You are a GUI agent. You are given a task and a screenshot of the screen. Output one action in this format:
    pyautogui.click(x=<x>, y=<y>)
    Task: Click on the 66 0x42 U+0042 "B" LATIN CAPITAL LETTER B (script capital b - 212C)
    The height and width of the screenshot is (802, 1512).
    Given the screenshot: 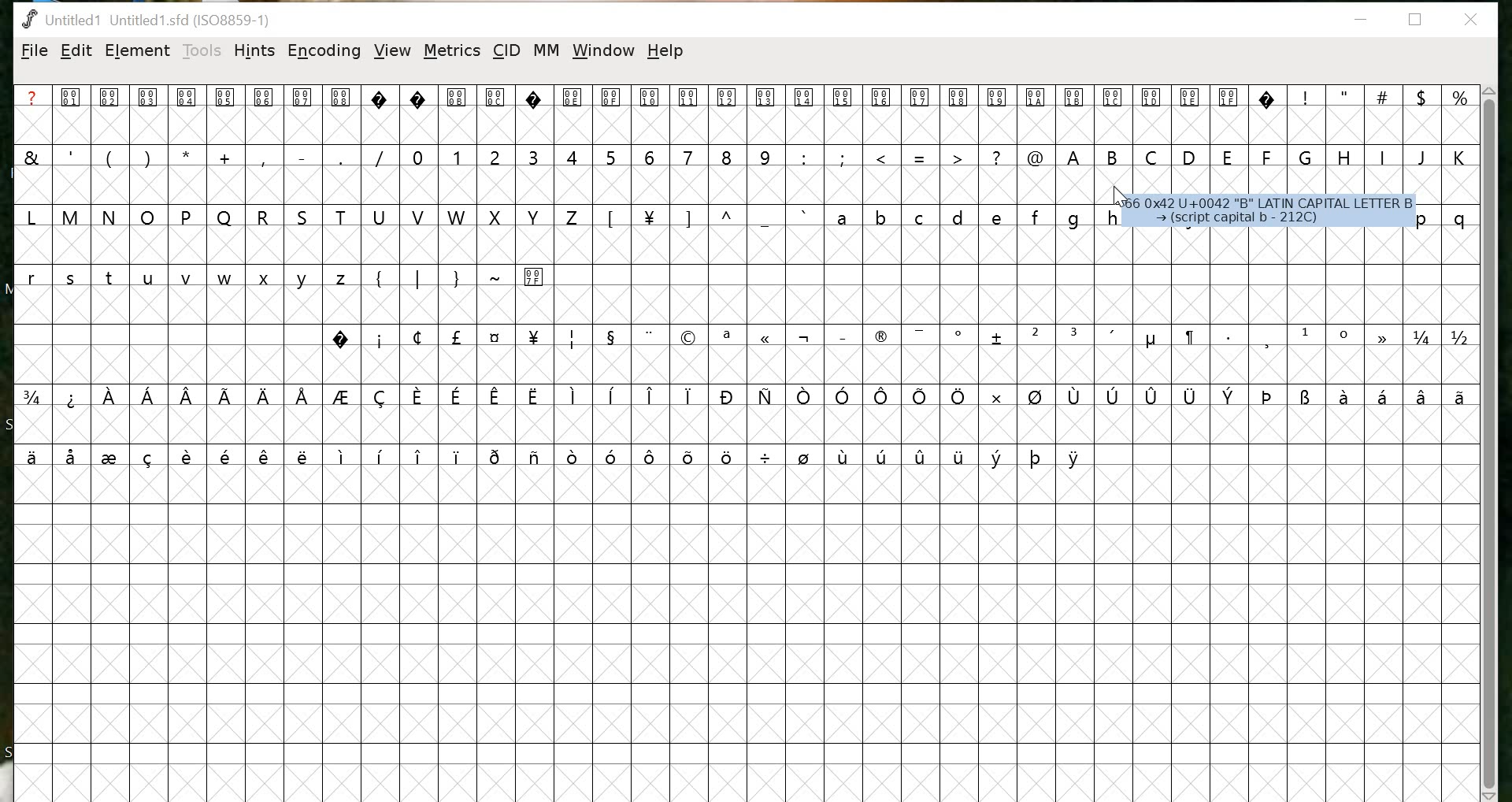 What is the action you would take?
    pyautogui.click(x=1270, y=211)
    